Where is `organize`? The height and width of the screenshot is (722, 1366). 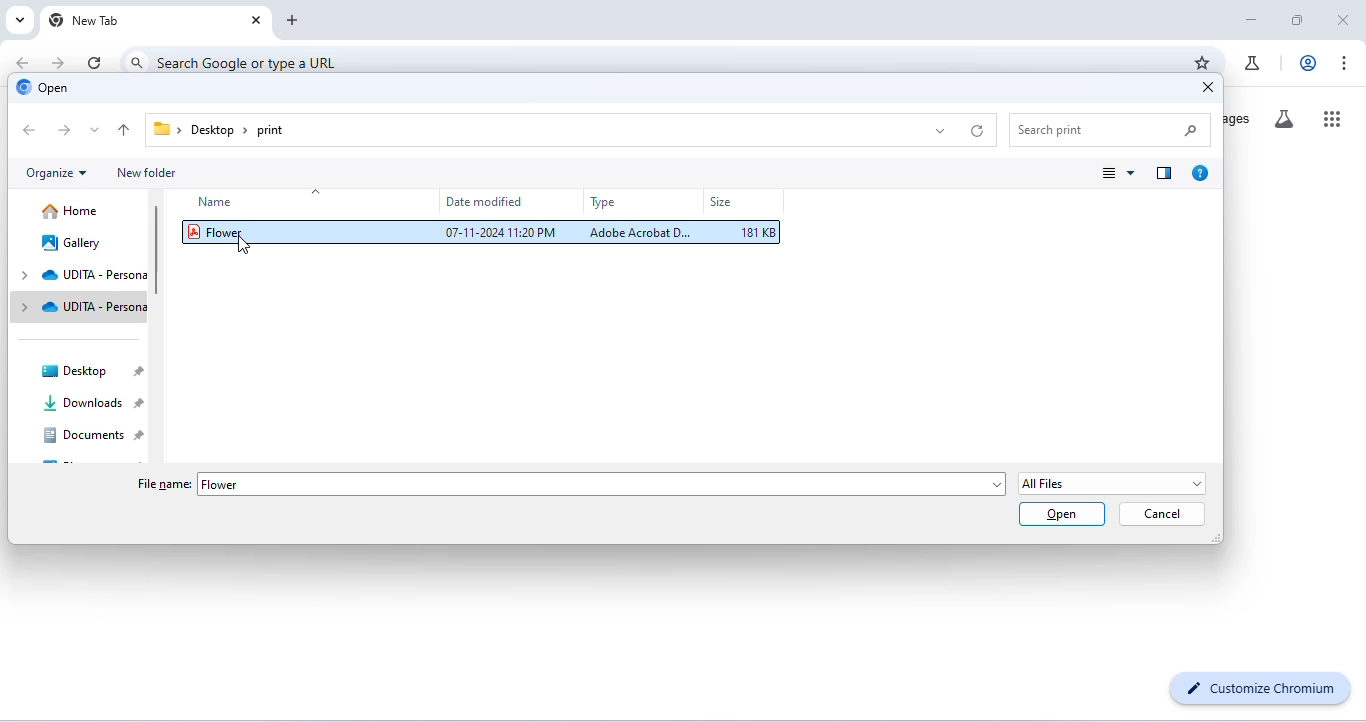 organize is located at coordinates (55, 172).